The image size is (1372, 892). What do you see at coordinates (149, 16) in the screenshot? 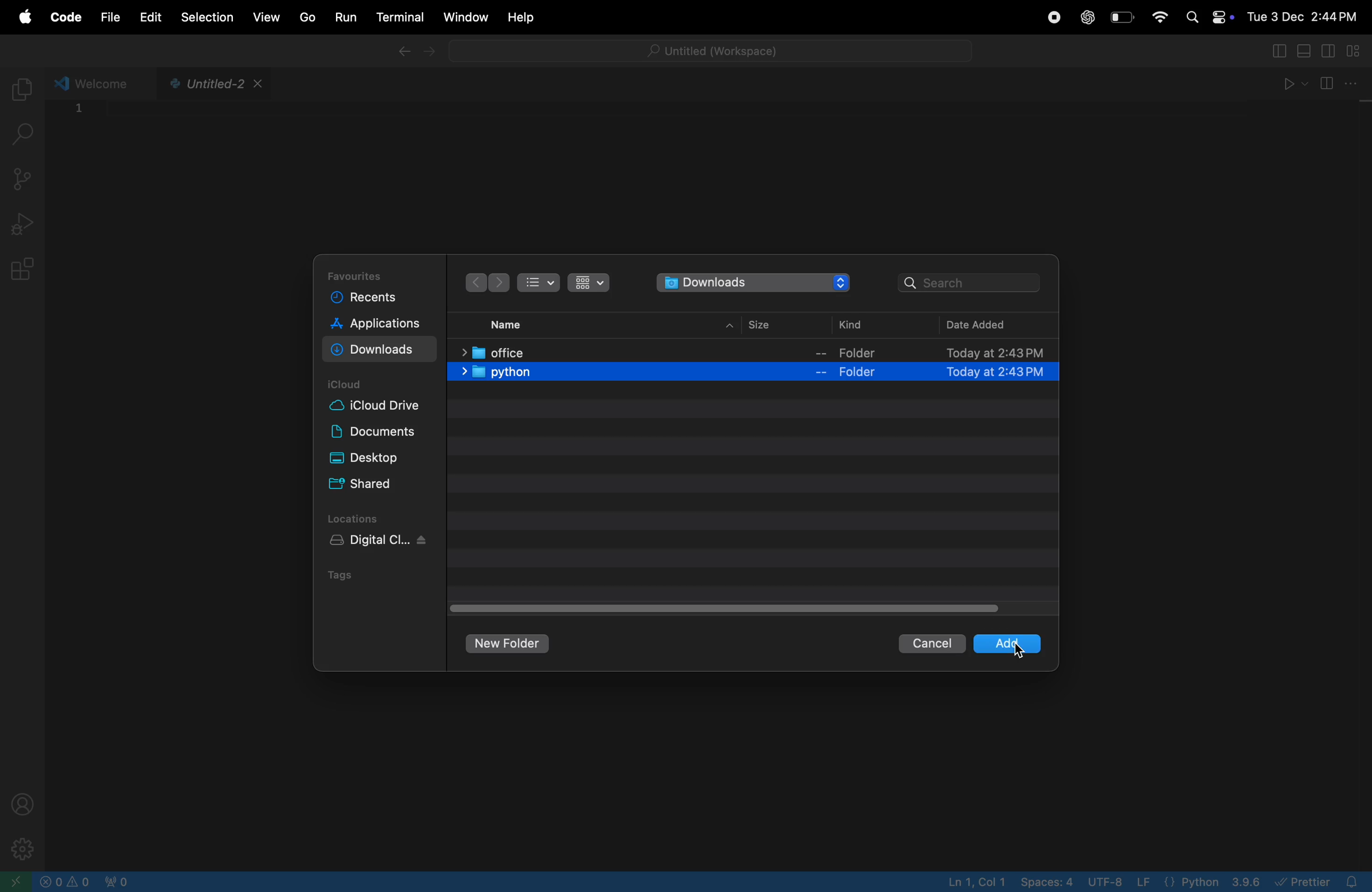
I see `edit` at bounding box center [149, 16].